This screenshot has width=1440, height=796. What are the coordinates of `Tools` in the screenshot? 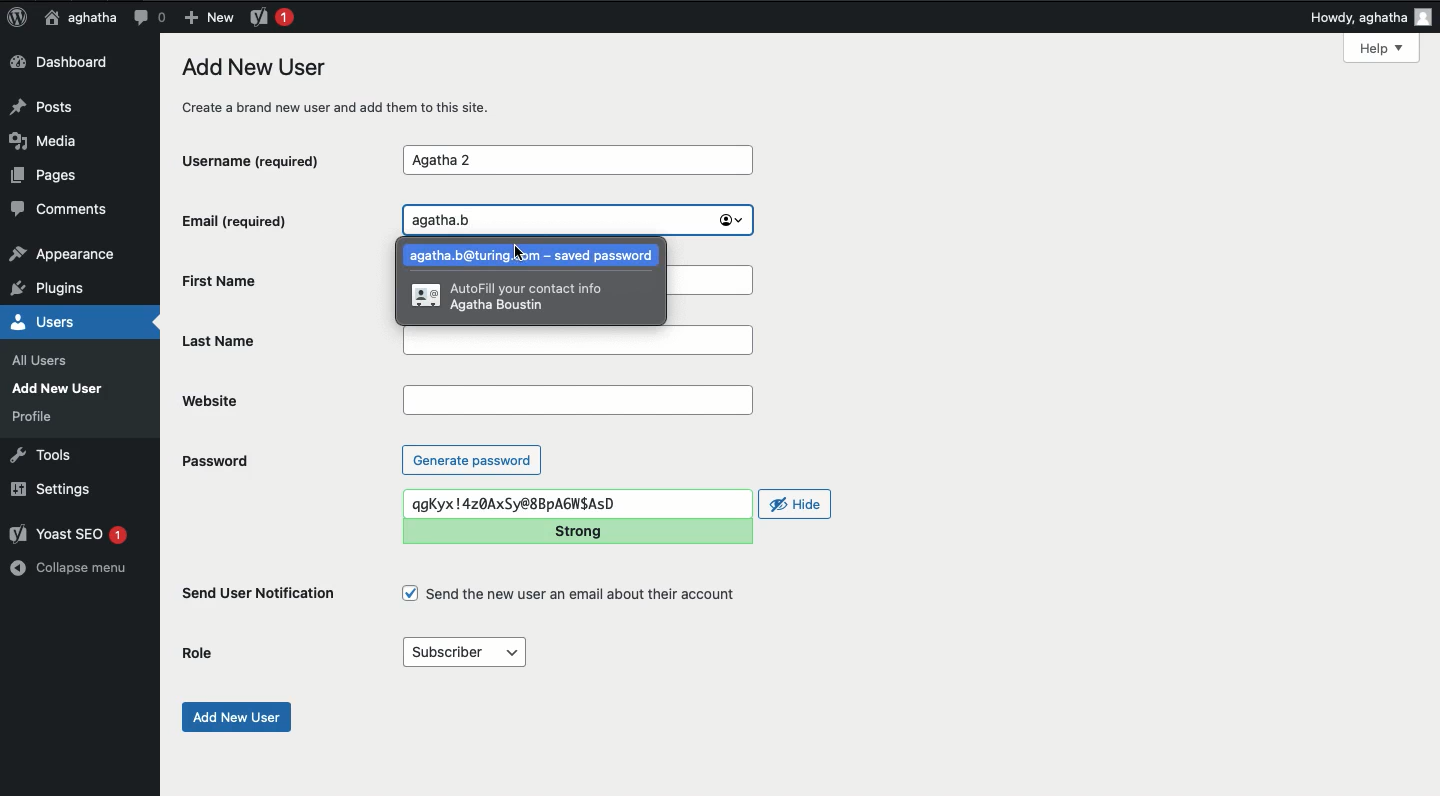 It's located at (42, 453).